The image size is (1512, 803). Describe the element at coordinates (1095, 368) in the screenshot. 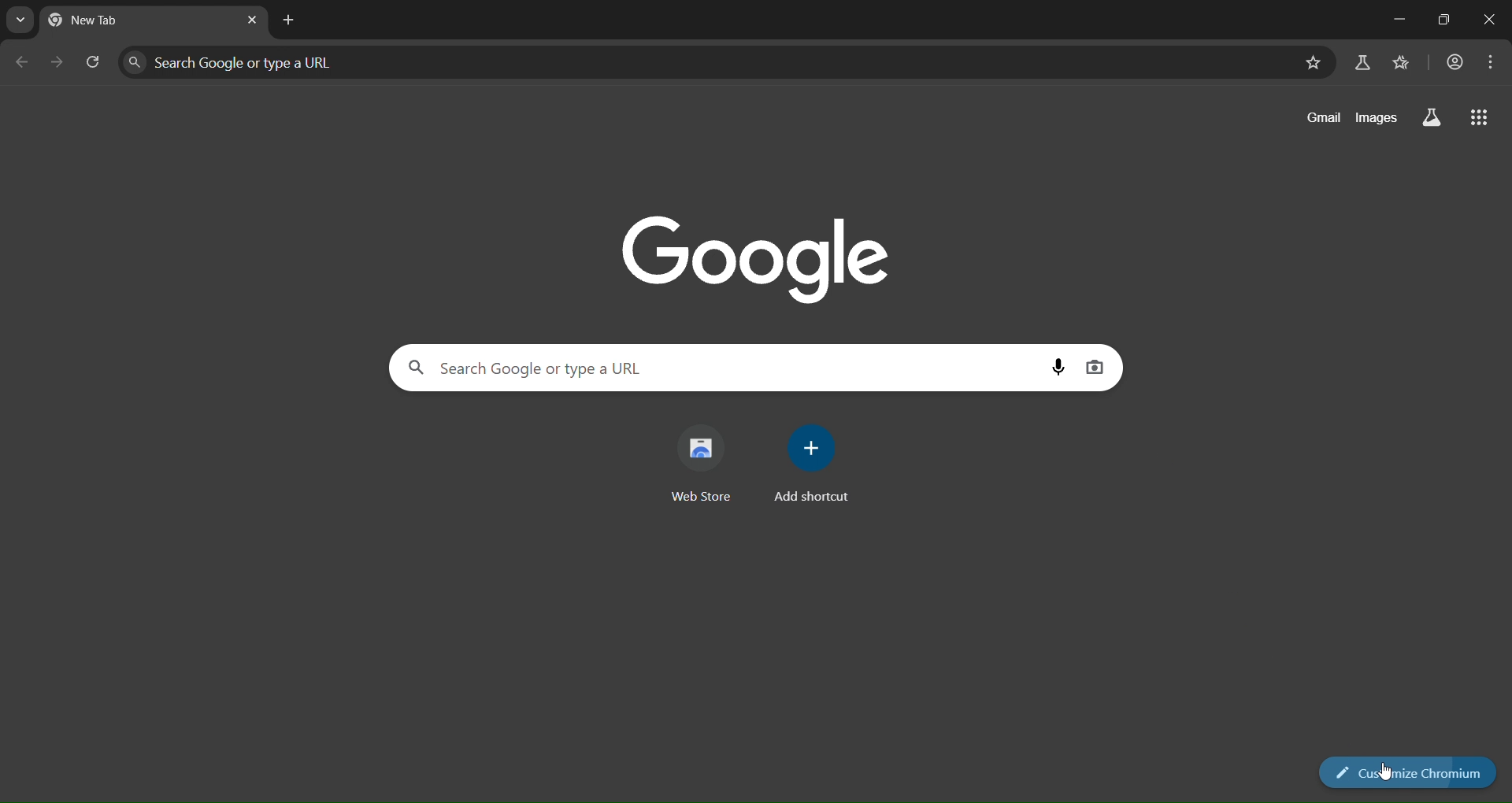

I see `image search` at that location.